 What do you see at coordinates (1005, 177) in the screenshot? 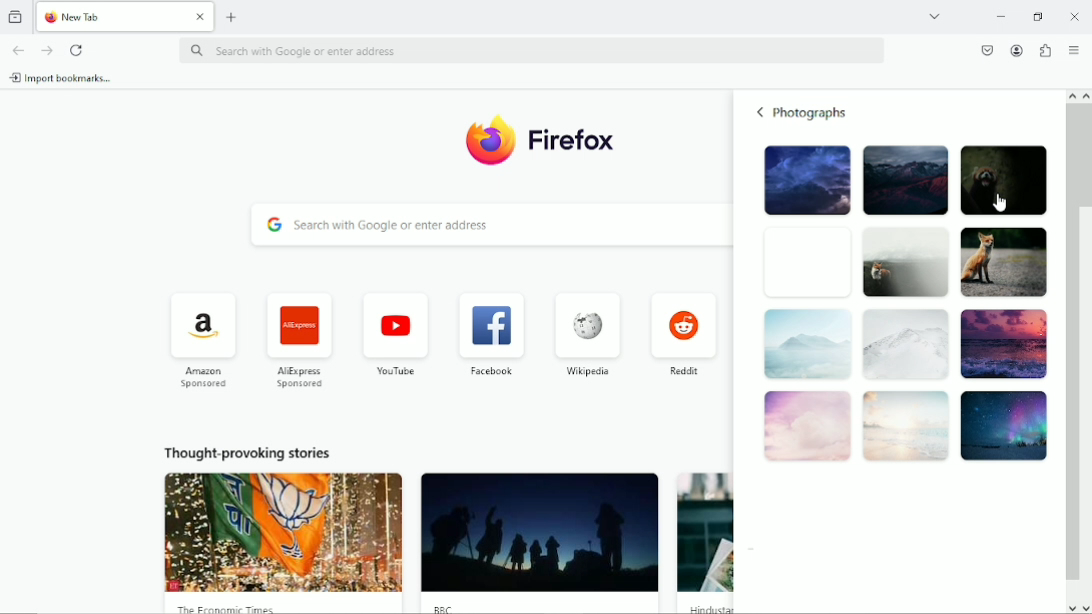
I see `Photograph` at bounding box center [1005, 177].